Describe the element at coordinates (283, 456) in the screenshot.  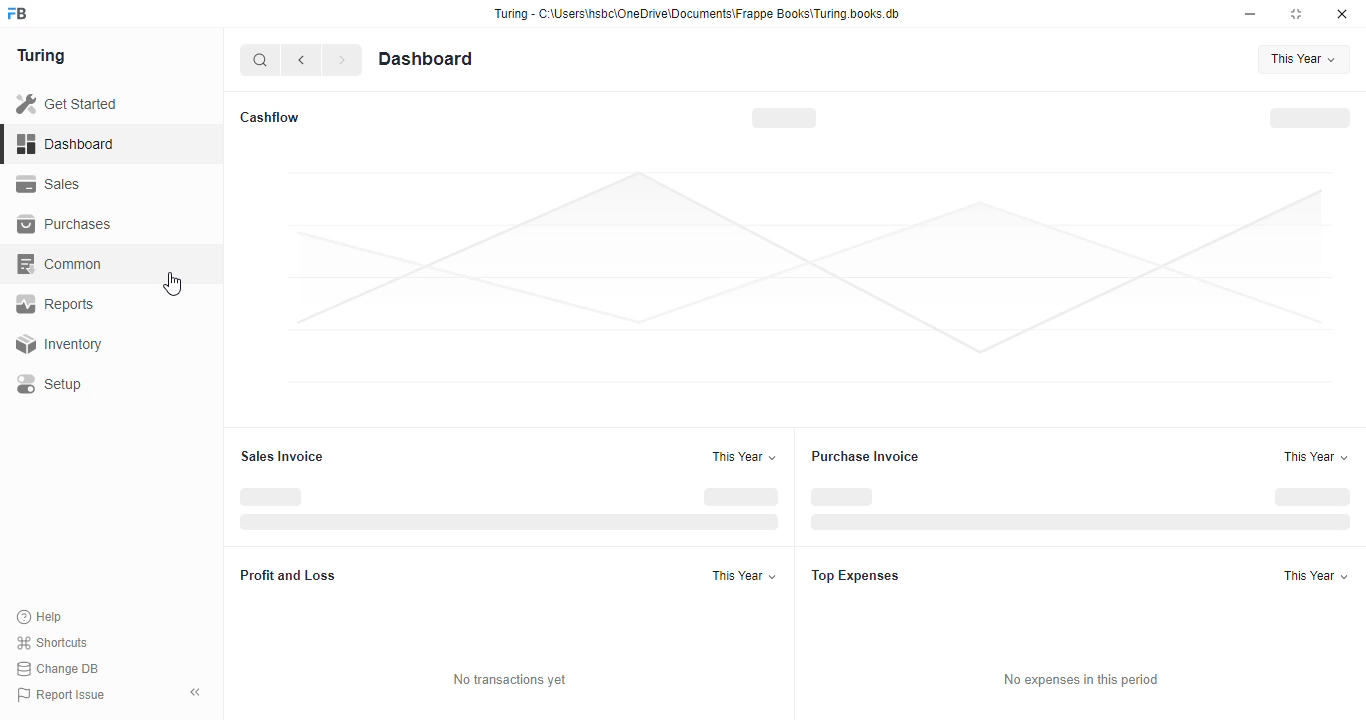
I see `sales invoice` at that location.